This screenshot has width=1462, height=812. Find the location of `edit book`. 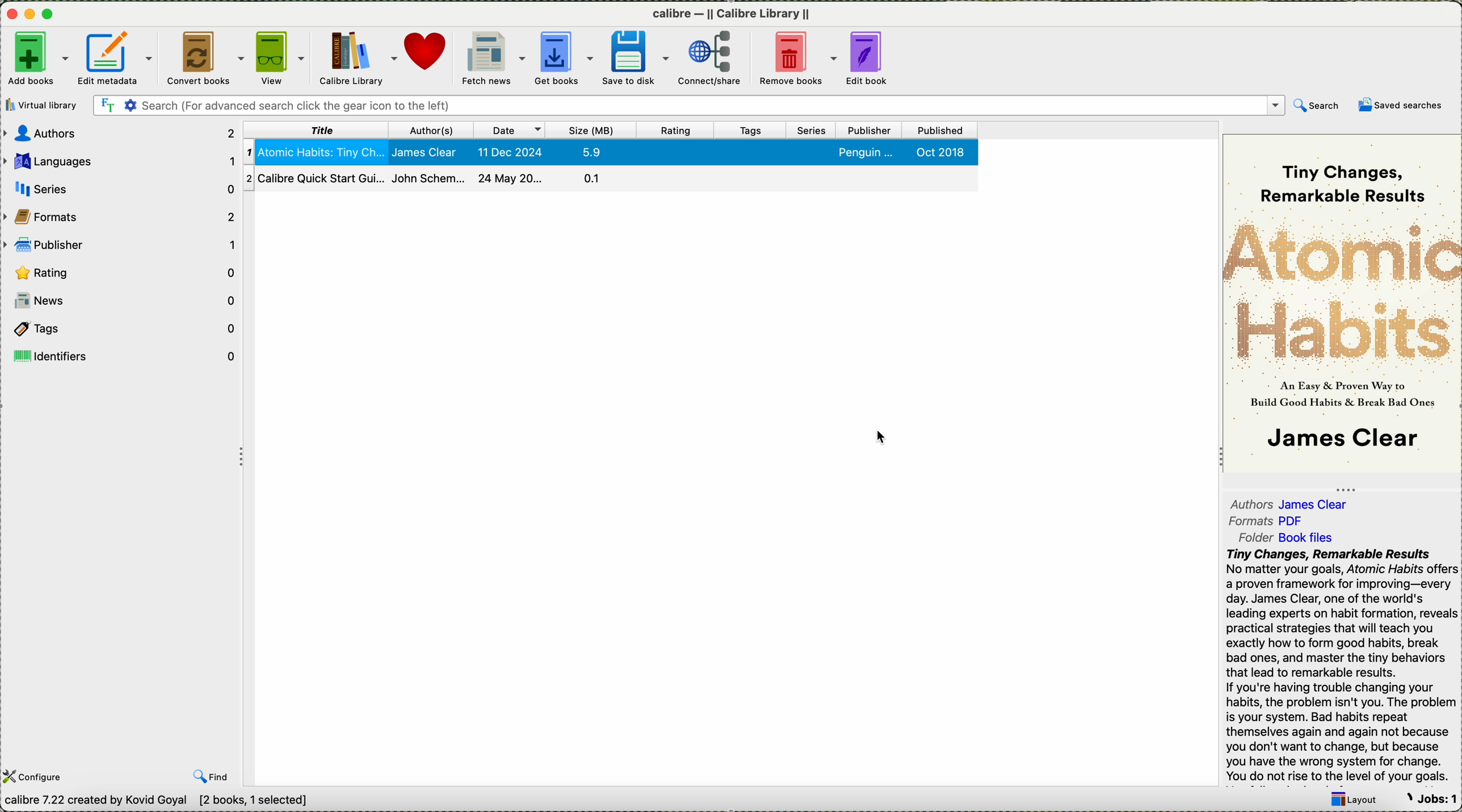

edit book is located at coordinates (875, 57).